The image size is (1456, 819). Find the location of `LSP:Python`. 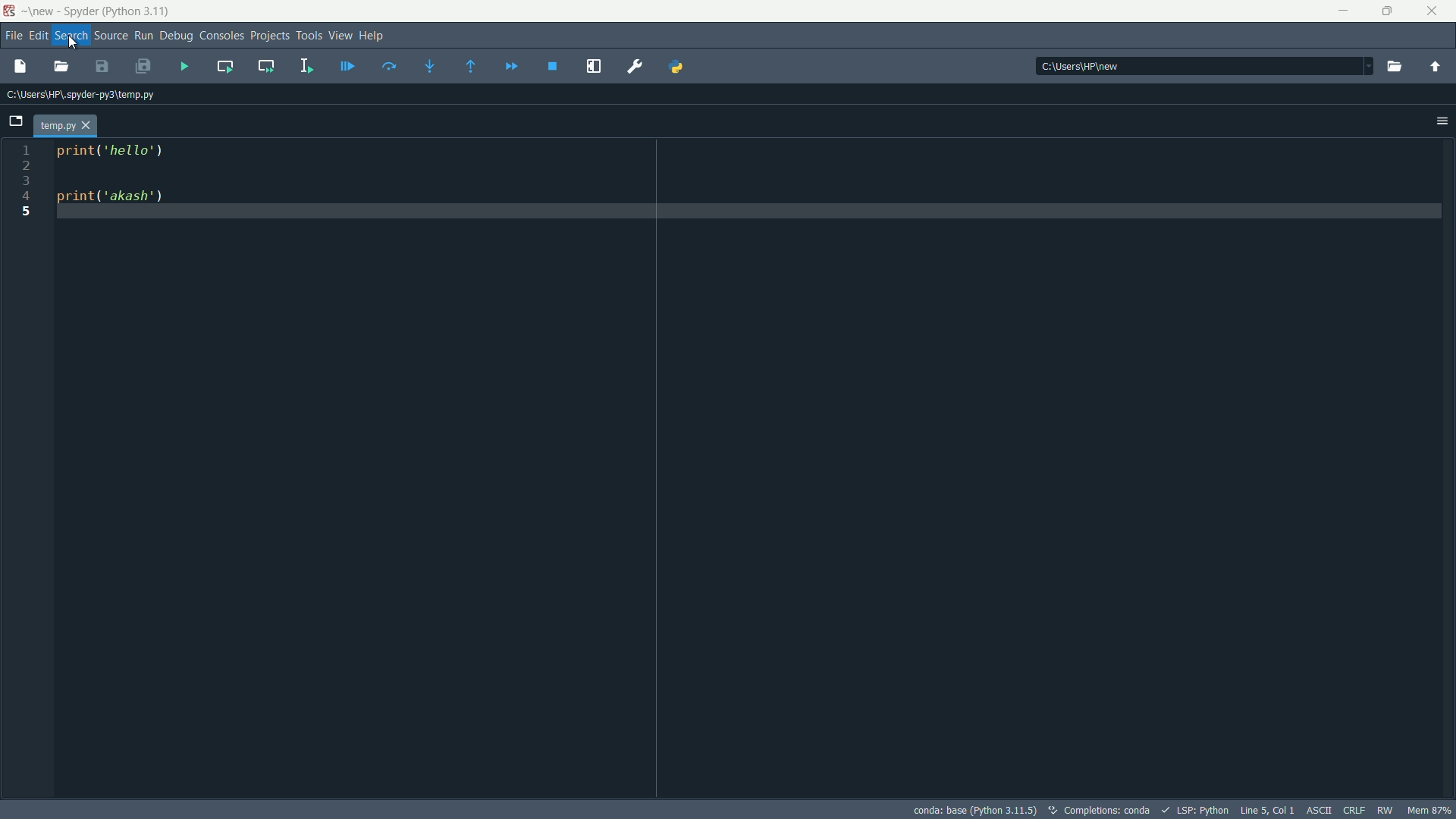

LSP:Python is located at coordinates (1197, 810).